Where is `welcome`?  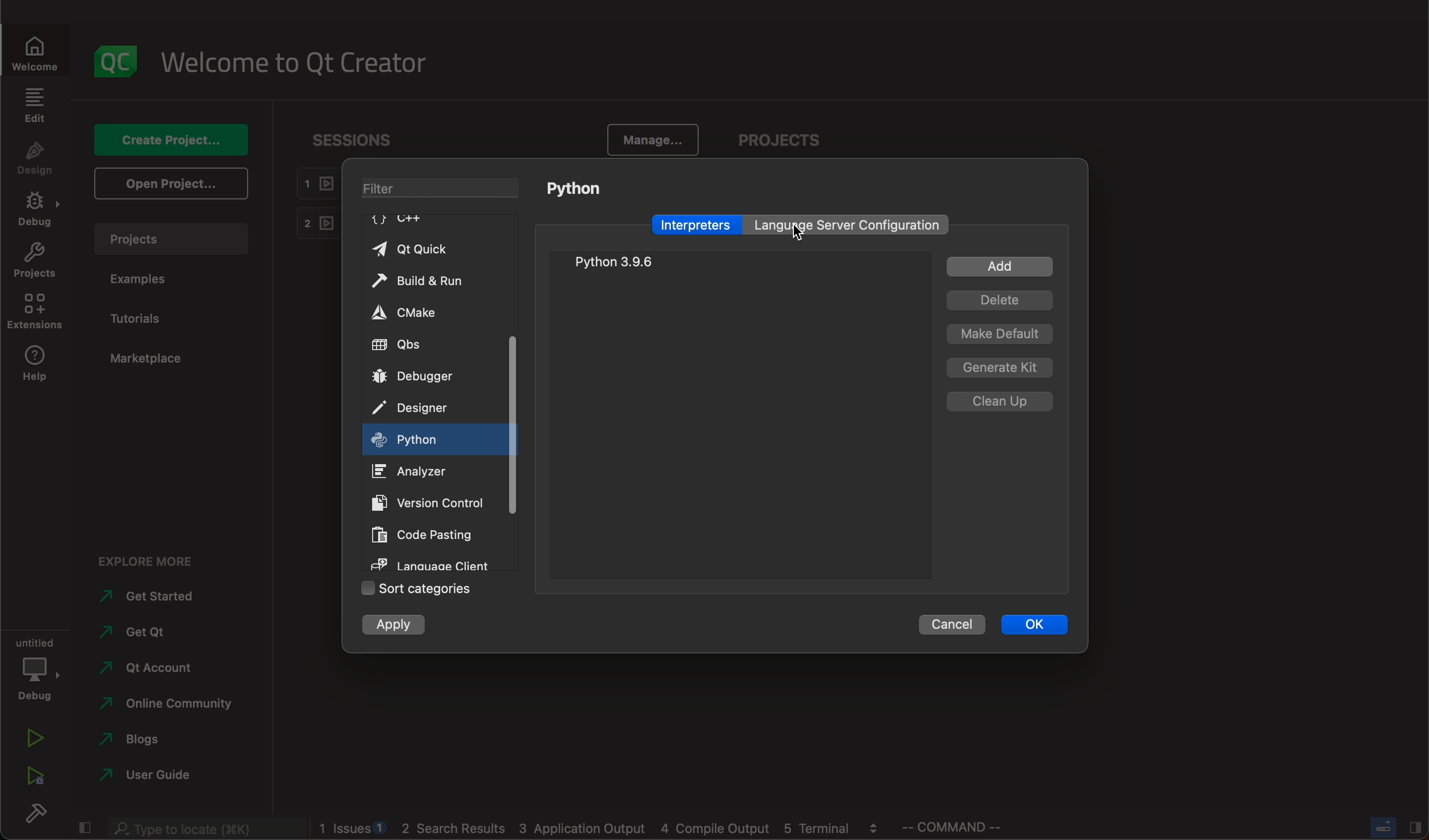
welcome is located at coordinates (298, 62).